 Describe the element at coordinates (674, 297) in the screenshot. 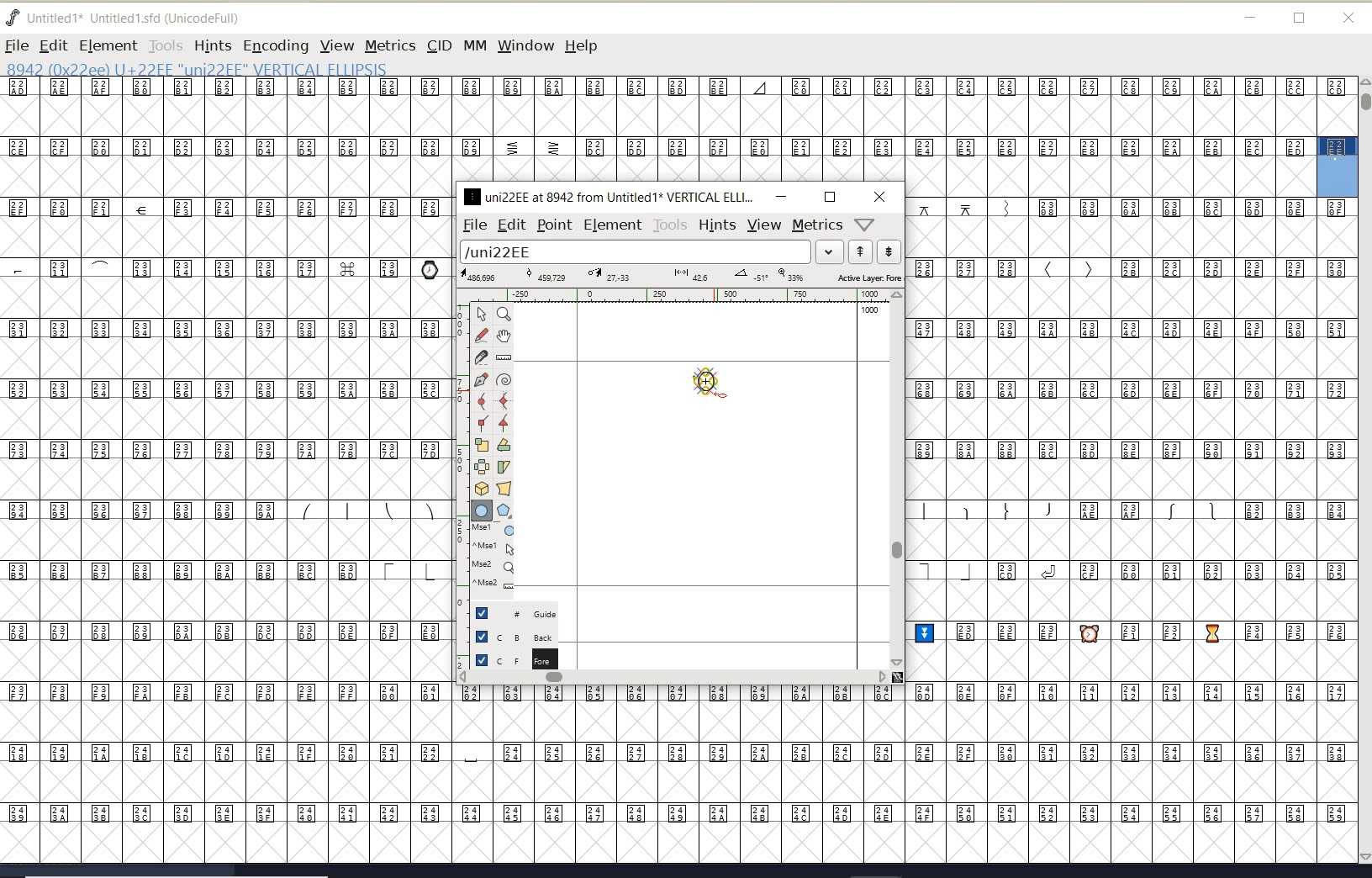

I see `ruler` at that location.